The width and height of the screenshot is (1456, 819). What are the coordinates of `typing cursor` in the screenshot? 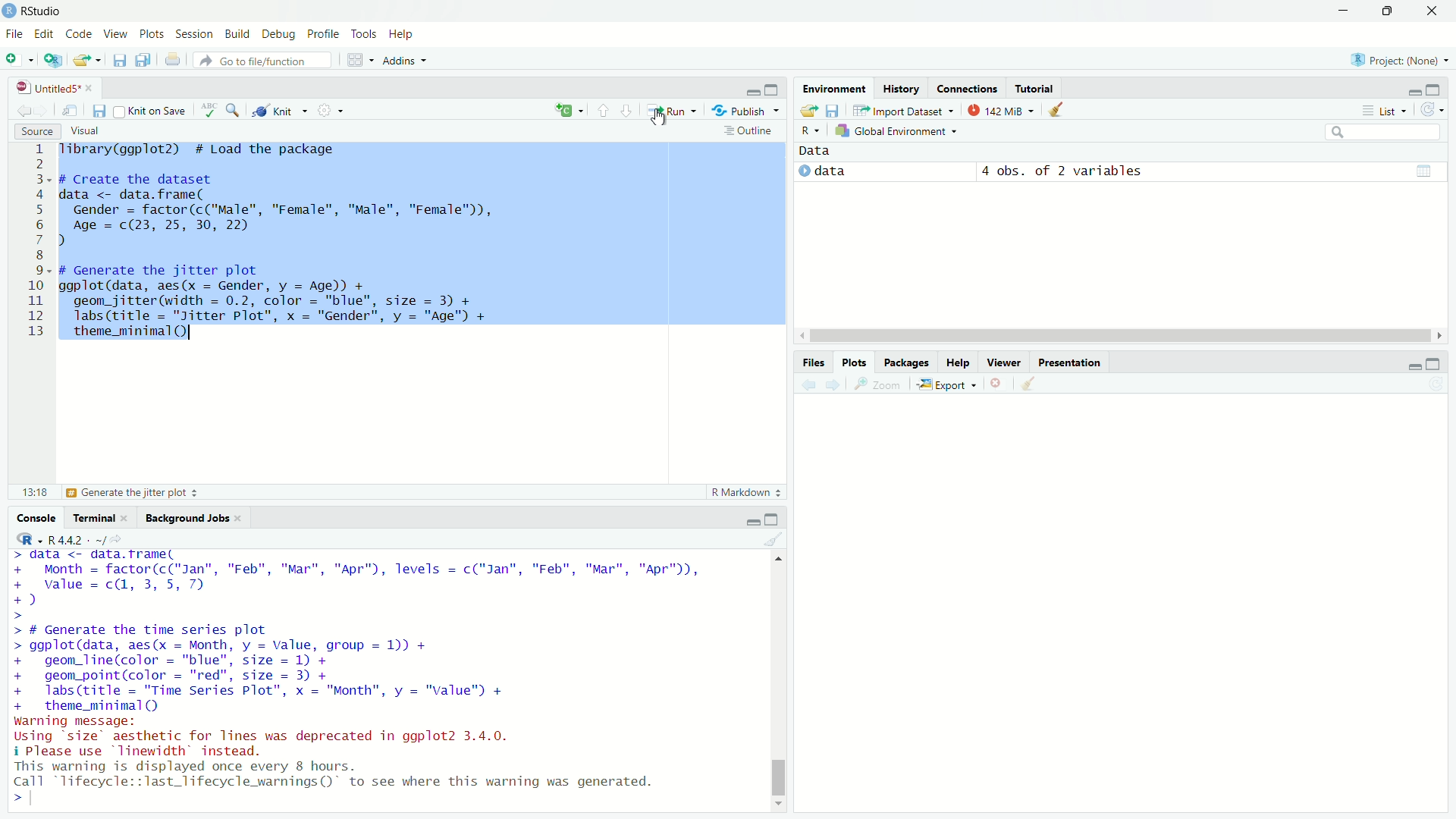 It's located at (44, 803).